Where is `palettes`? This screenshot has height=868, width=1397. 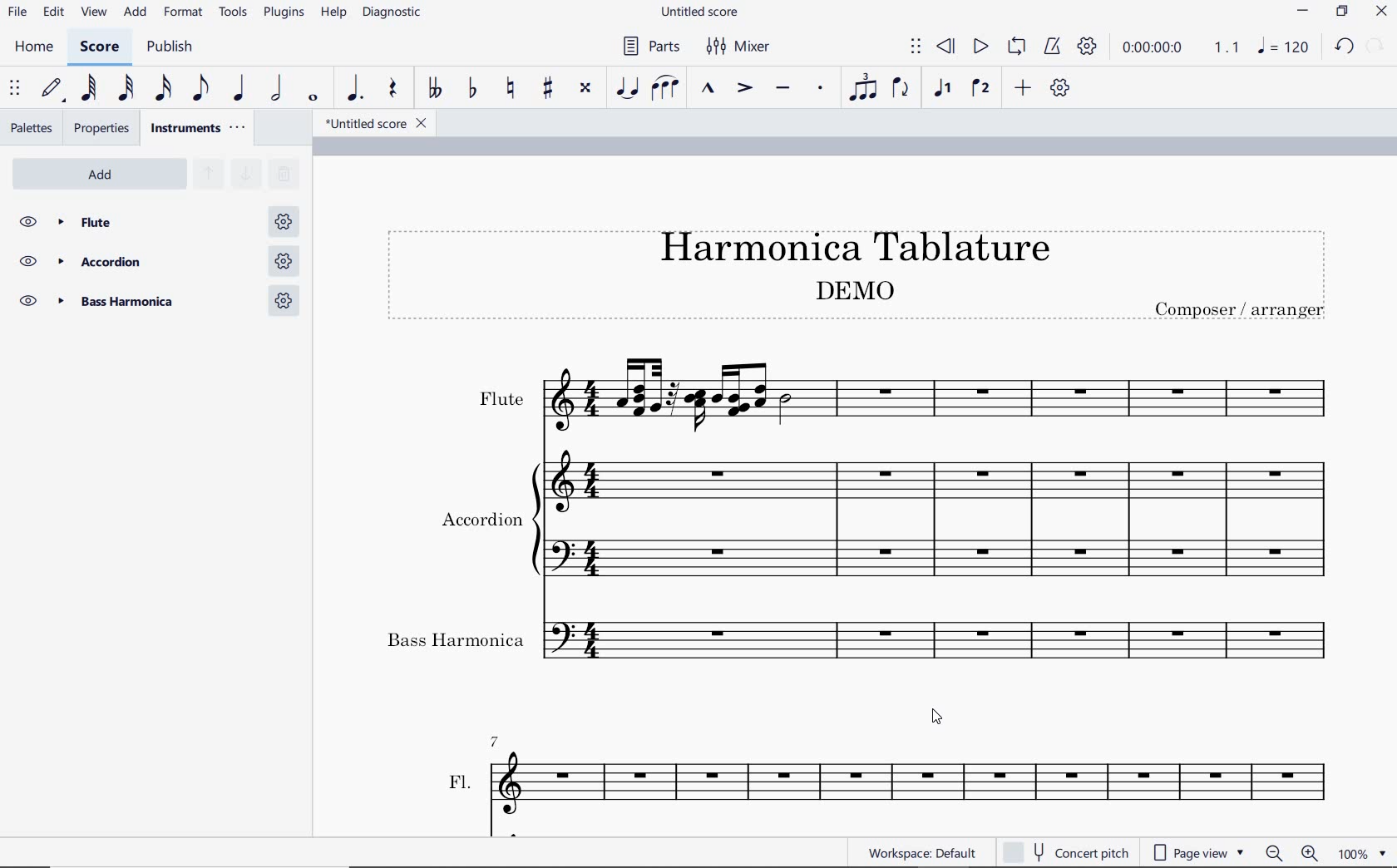
palettes is located at coordinates (32, 128).